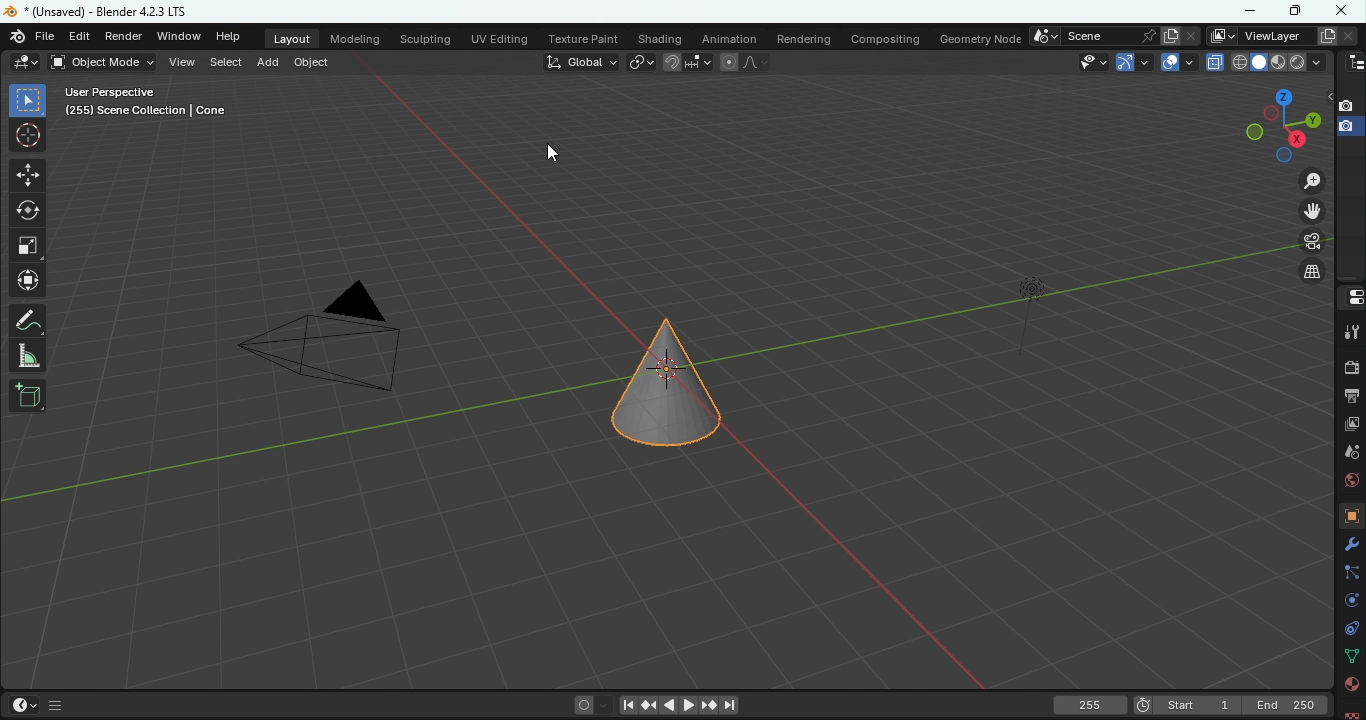  What do you see at coordinates (1324, 34) in the screenshot?
I see `Add view layer` at bounding box center [1324, 34].